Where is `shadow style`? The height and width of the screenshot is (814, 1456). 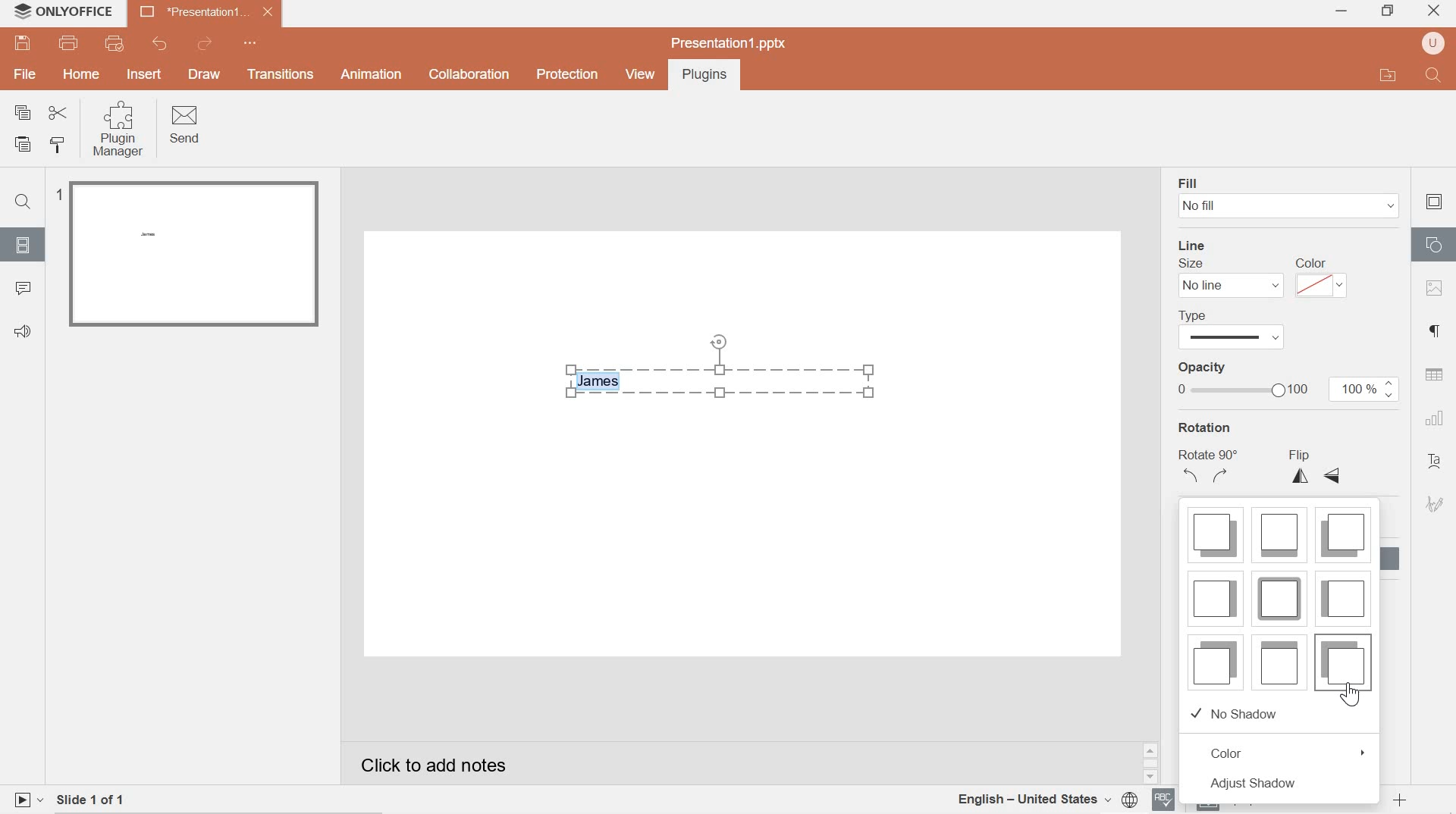 shadow style is located at coordinates (1214, 531).